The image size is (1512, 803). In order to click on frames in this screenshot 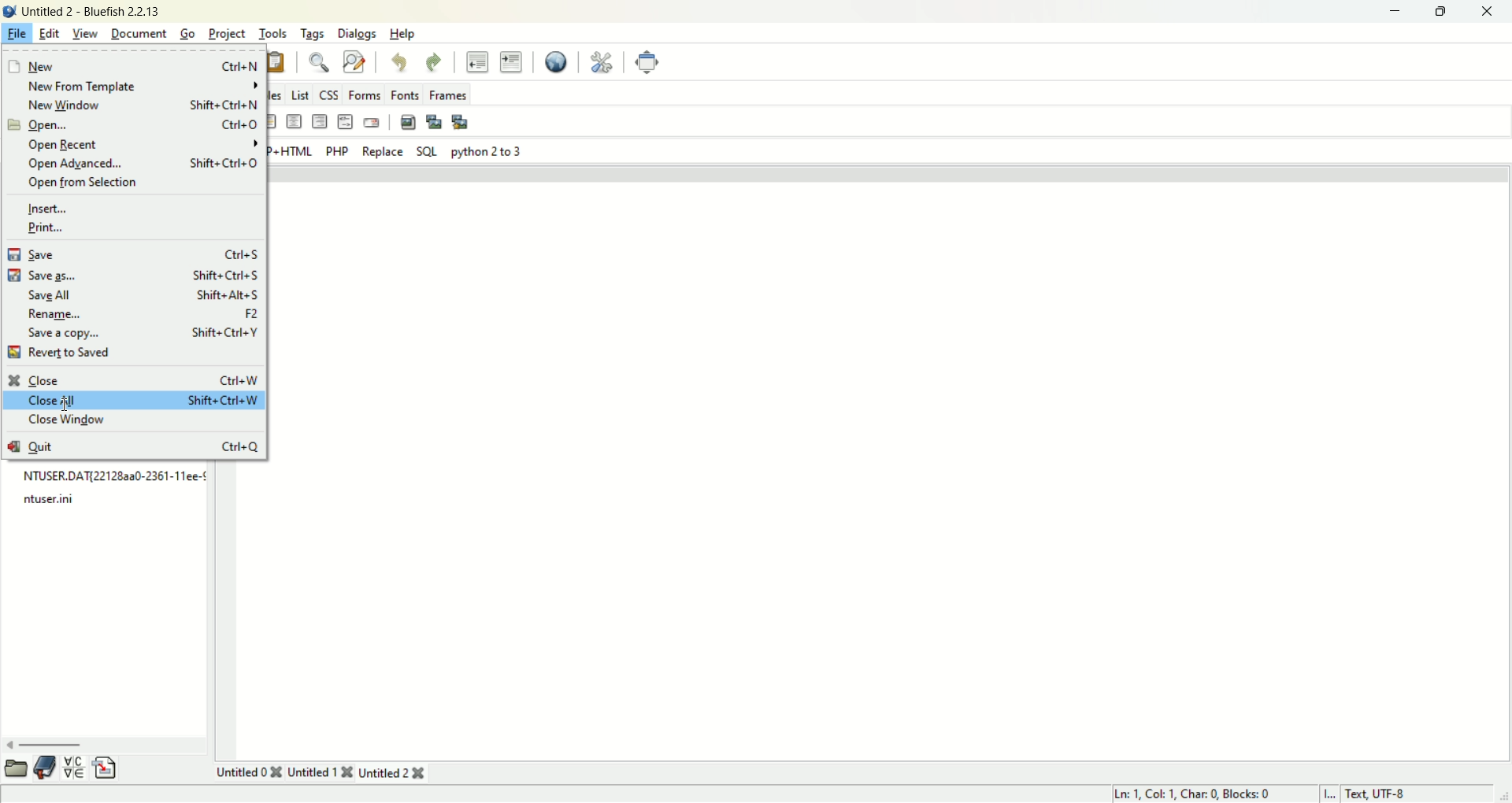, I will do `click(449, 94)`.